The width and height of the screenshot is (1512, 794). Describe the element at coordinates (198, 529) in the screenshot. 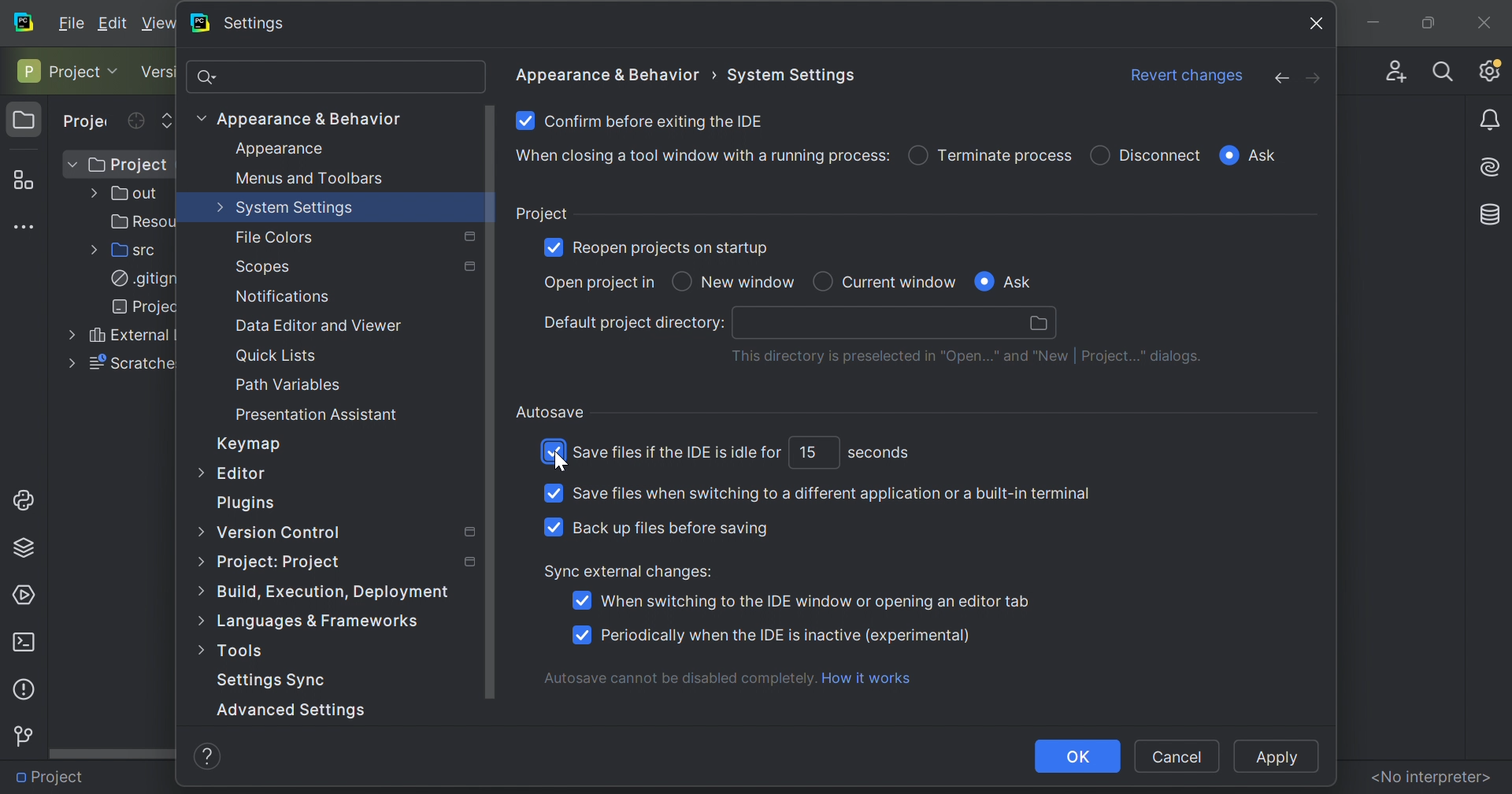

I see `More` at that location.